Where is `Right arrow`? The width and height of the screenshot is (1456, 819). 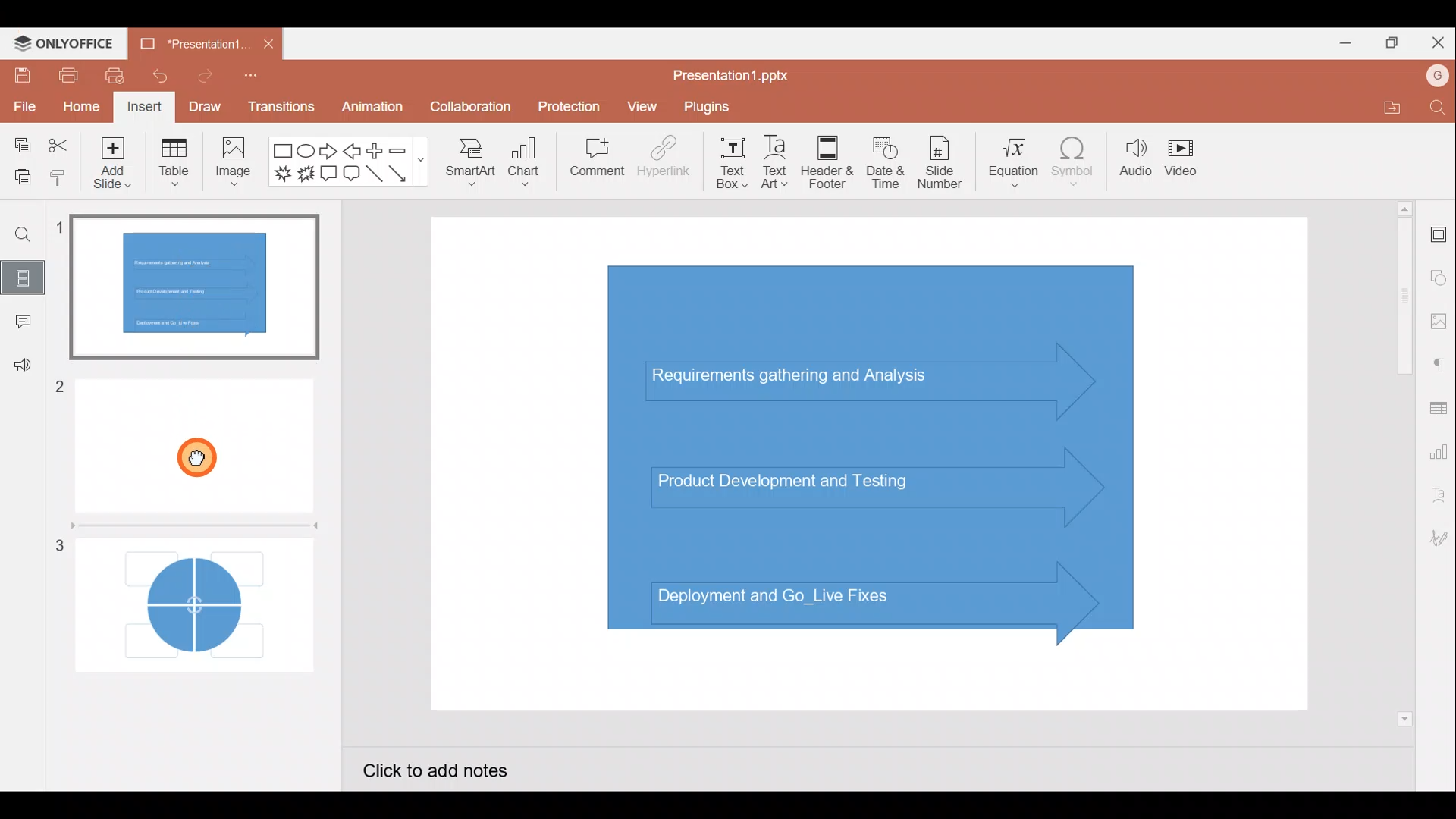
Right arrow is located at coordinates (329, 152).